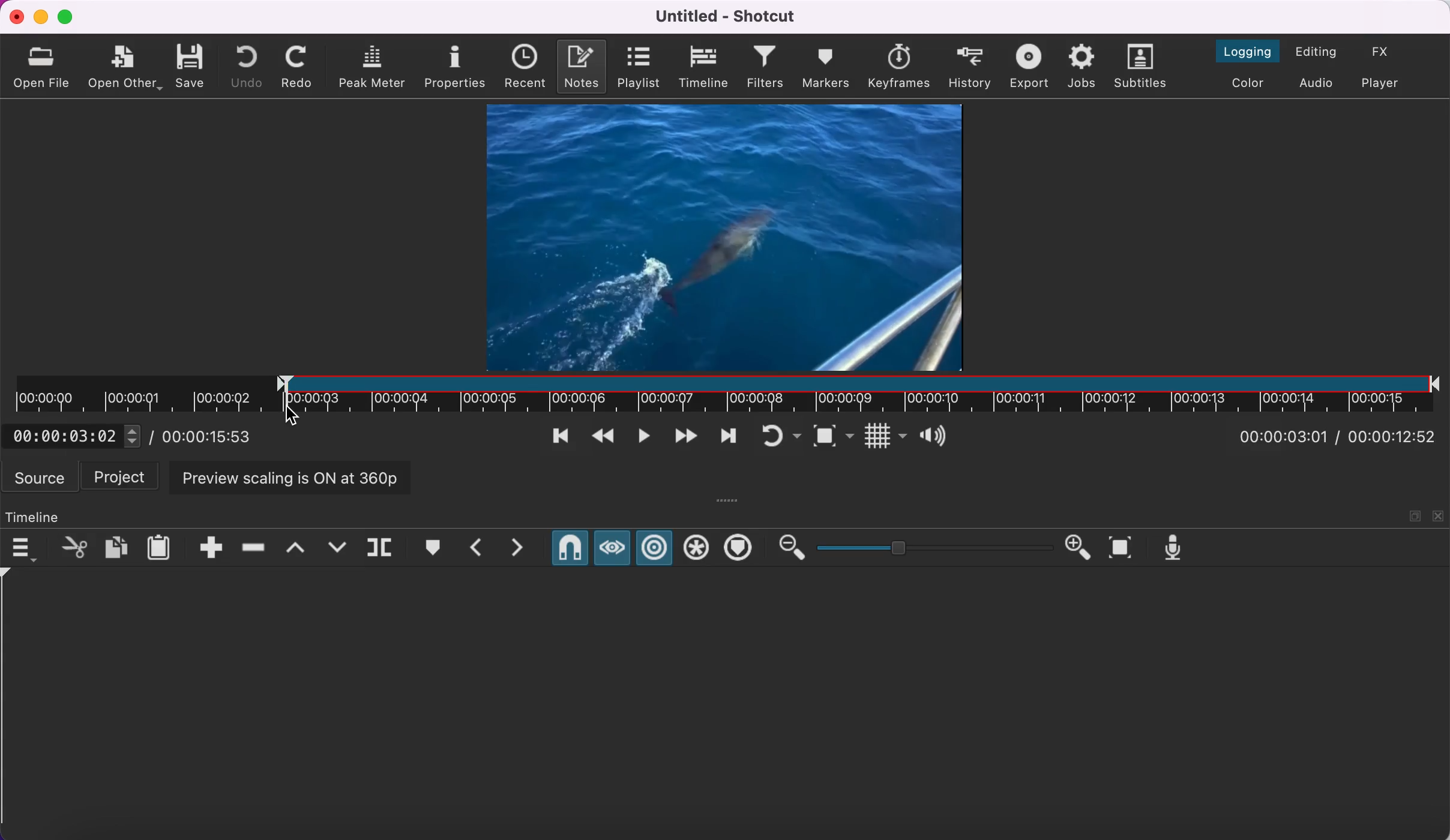 This screenshot has height=840, width=1450. What do you see at coordinates (790, 548) in the screenshot?
I see `zoom out` at bounding box center [790, 548].